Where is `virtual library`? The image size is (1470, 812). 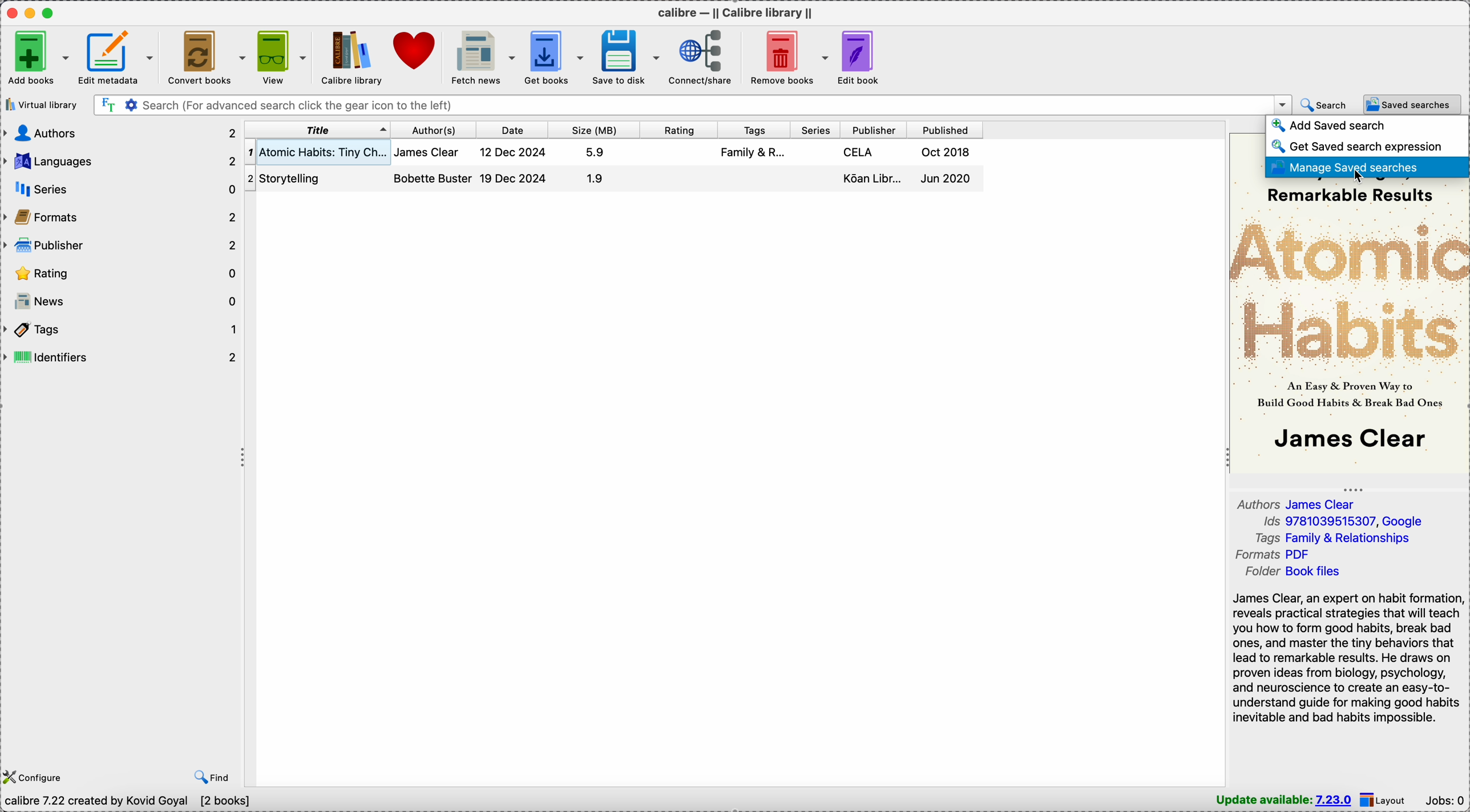 virtual library is located at coordinates (42, 106).